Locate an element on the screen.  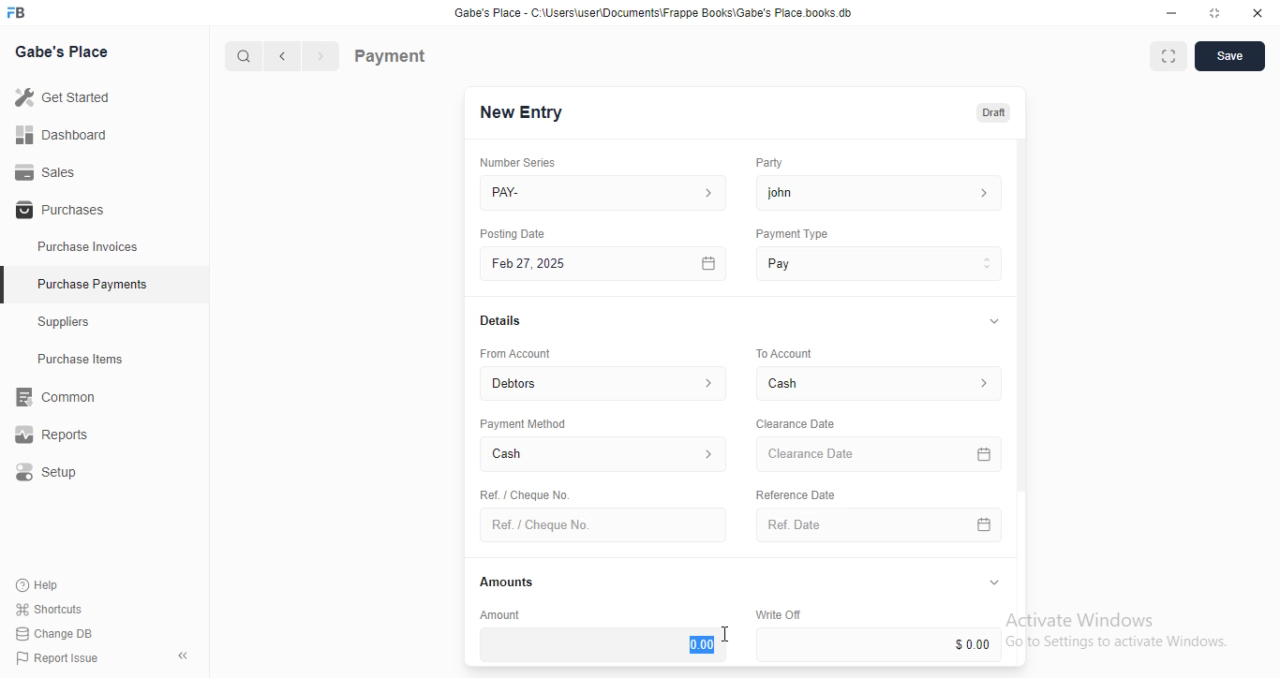
Gabe's Place is located at coordinates (66, 53).